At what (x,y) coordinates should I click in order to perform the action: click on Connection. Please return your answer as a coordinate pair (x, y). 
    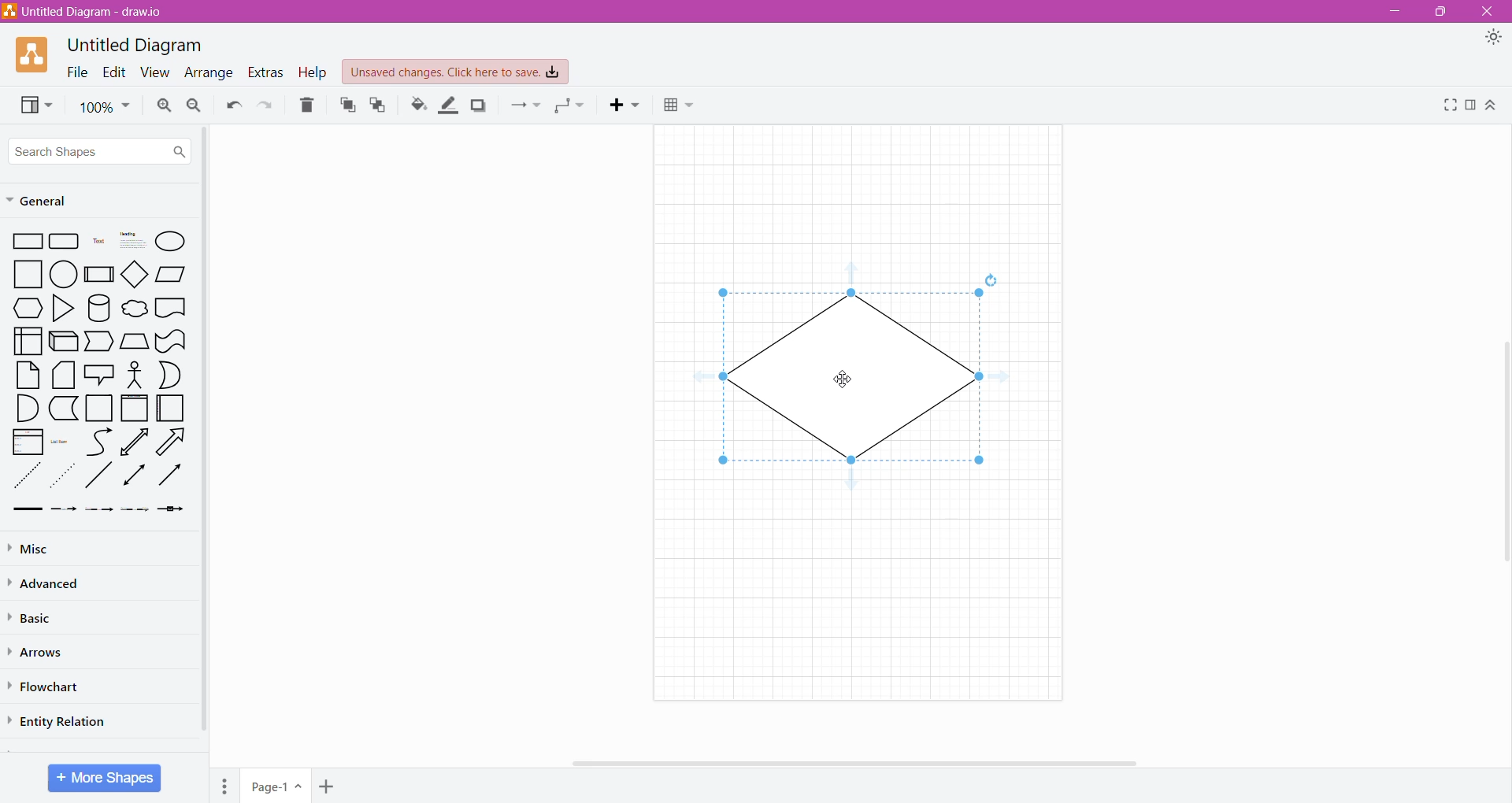
    Looking at the image, I should click on (526, 105).